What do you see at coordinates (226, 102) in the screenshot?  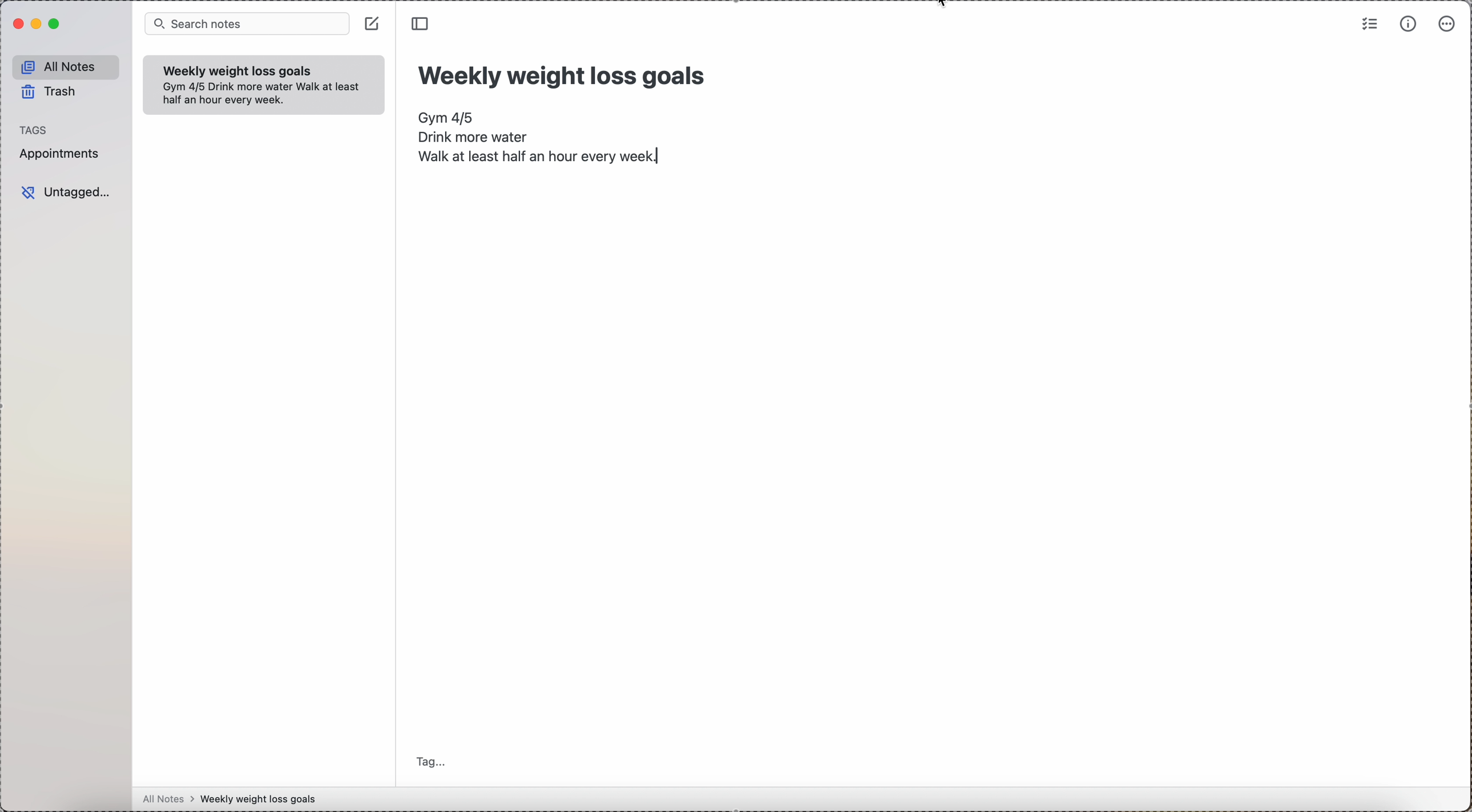 I see `half an hour every week` at bounding box center [226, 102].